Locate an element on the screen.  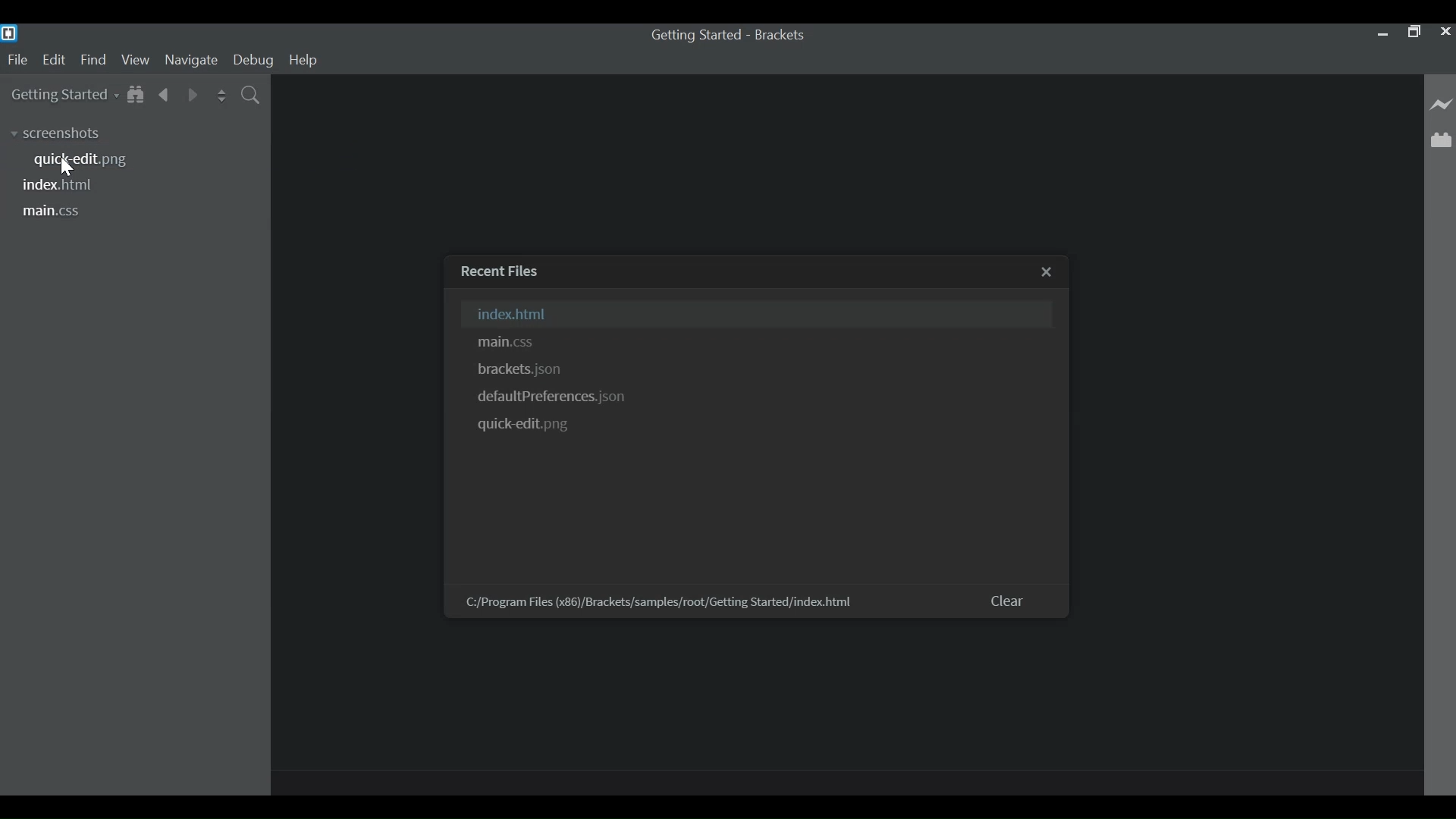
defaultPreferences.json is located at coordinates (557, 397).